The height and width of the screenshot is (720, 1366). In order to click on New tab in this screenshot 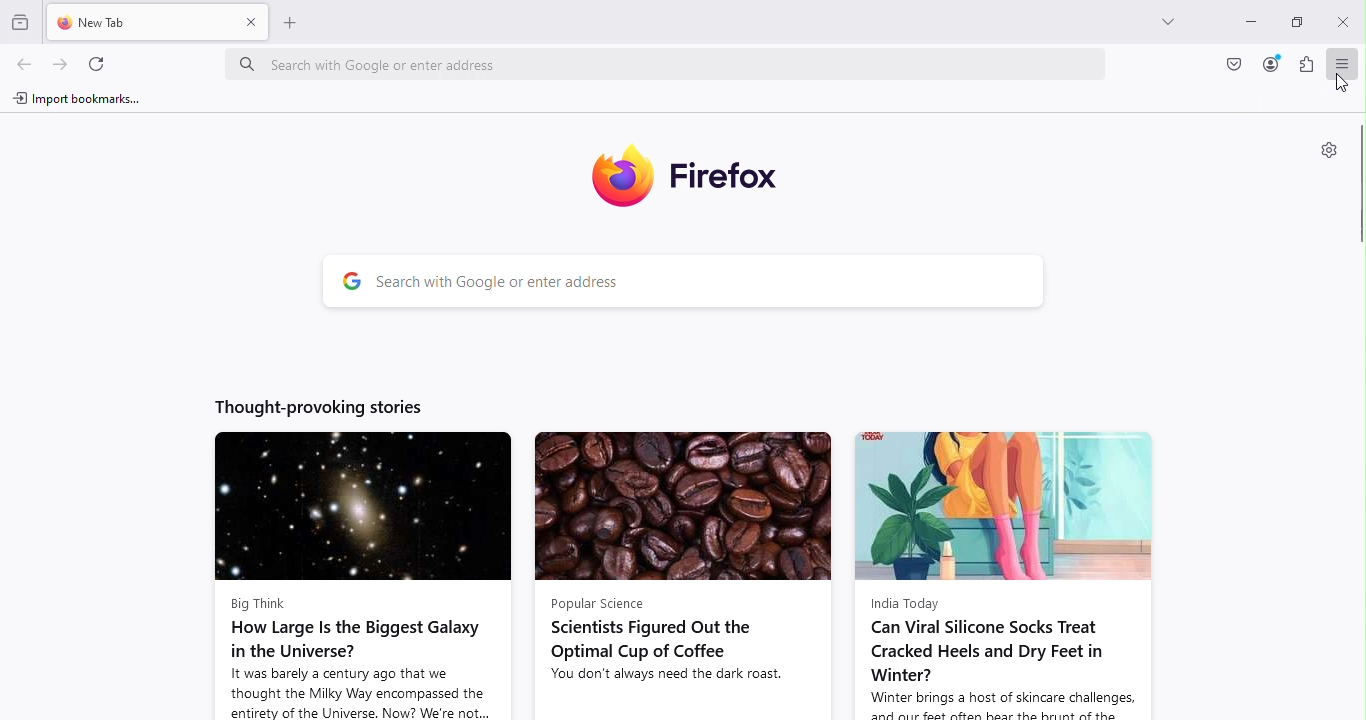, I will do `click(129, 23)`.